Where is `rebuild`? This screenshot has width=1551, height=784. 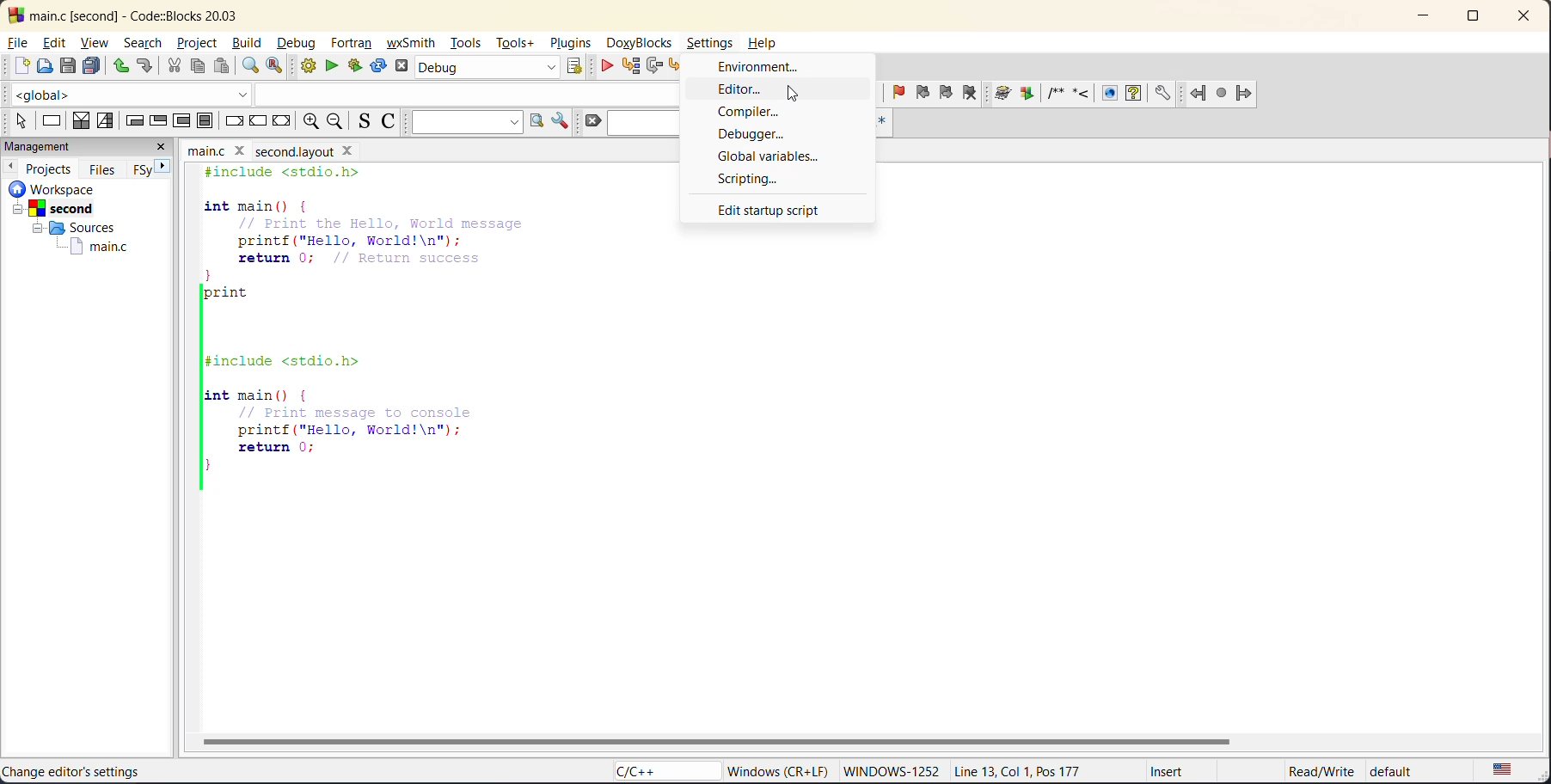
rebuild is located at coordinates (380, 67).